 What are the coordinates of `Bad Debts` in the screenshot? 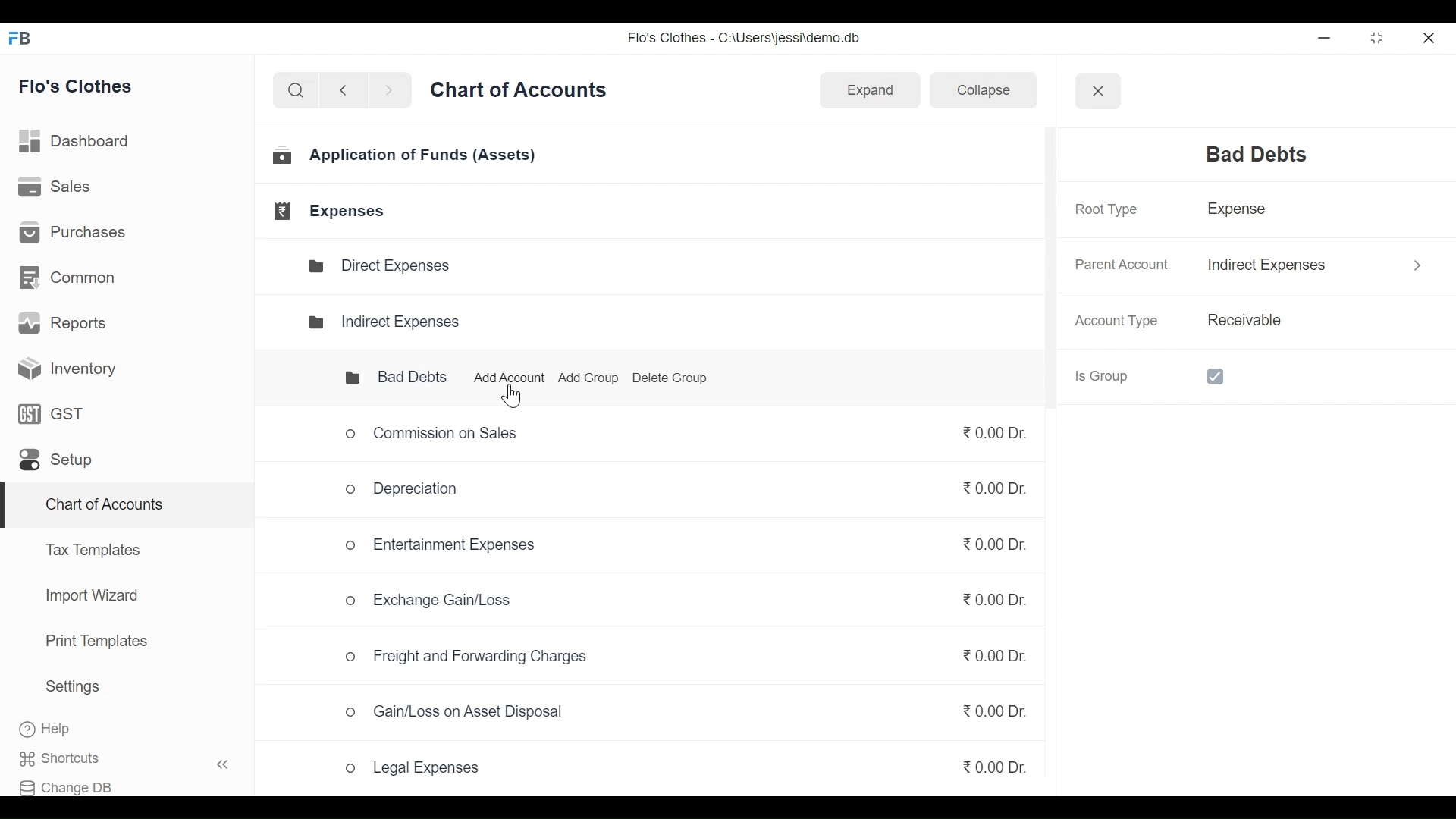 It's located at (384, 378).